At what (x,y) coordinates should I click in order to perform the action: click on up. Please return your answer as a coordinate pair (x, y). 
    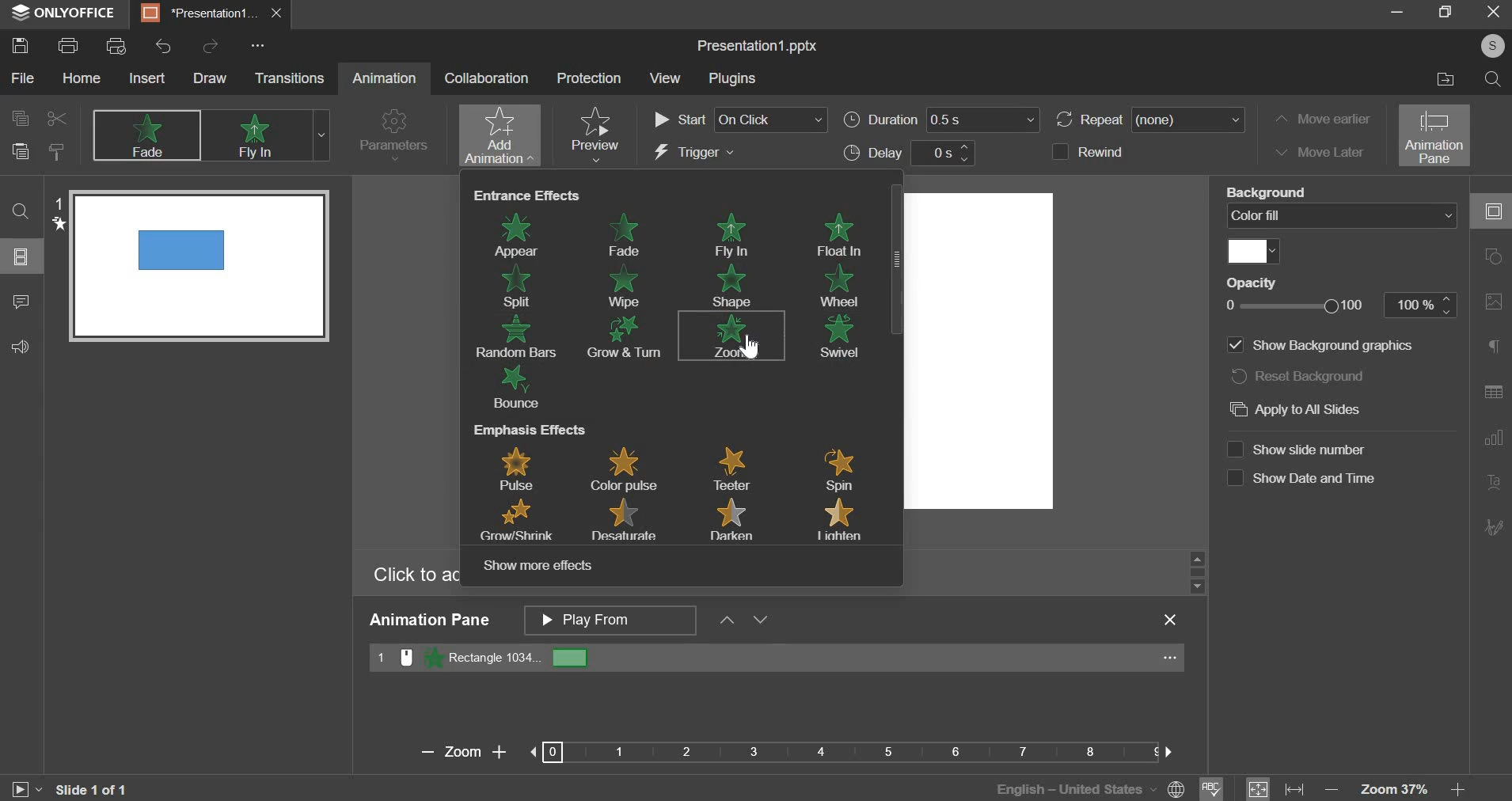
    Looking at the image, I should click on (727, 621).